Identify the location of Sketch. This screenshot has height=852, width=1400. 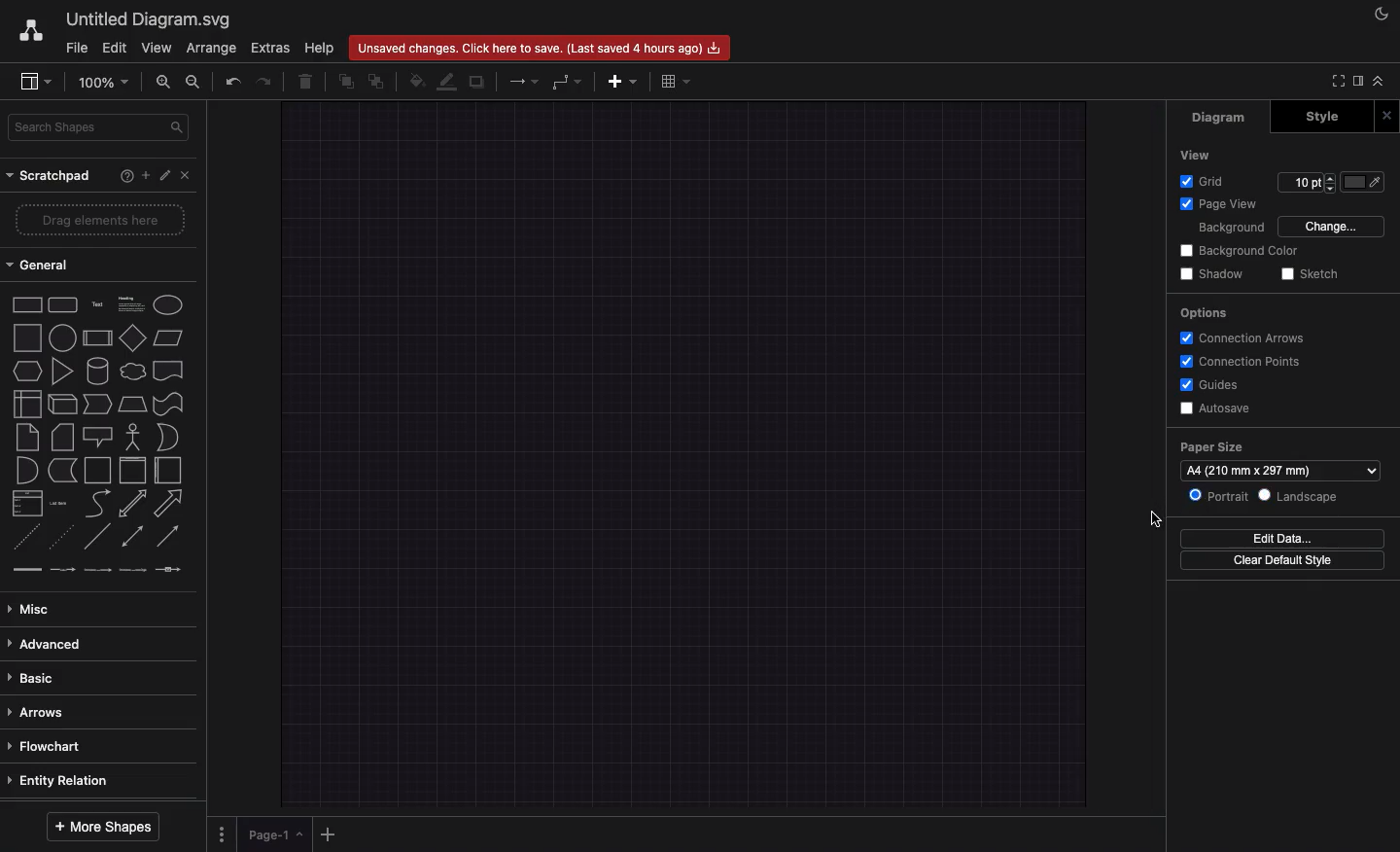
(1316, 277).